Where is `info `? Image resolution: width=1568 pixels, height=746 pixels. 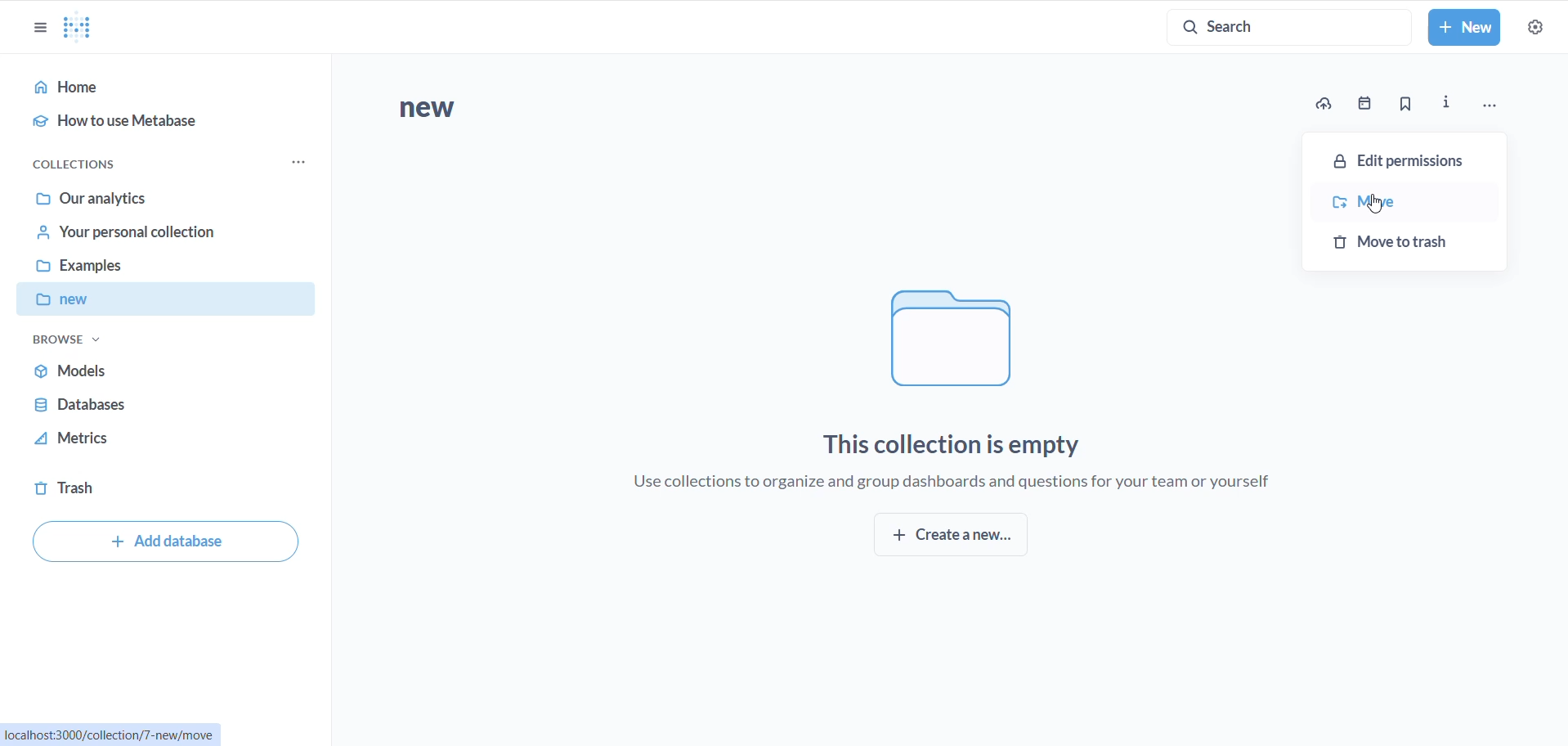 info  is located at coordinates (1449, 100).